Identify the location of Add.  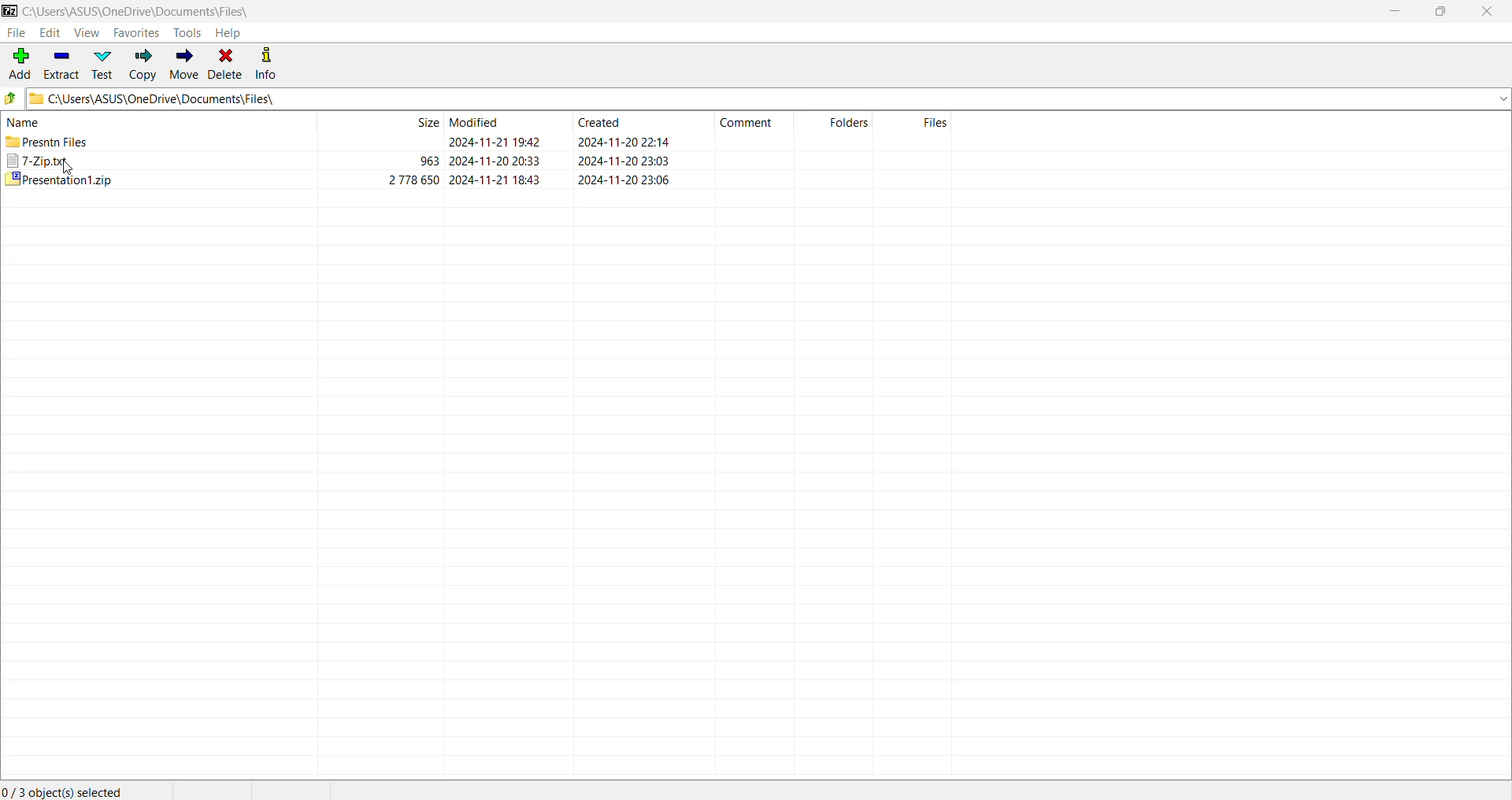
(18, 64).